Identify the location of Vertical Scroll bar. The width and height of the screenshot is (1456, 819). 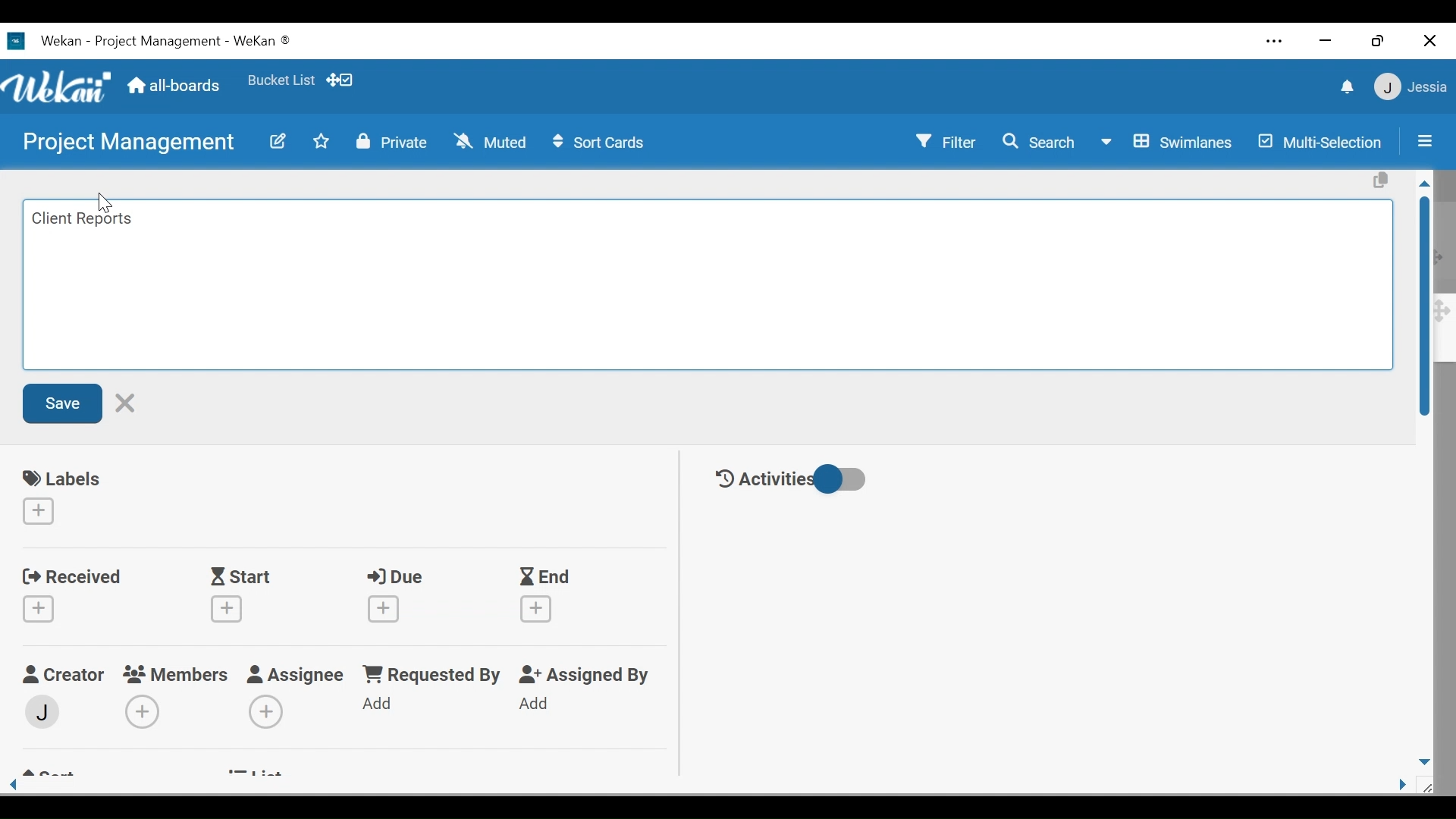
(1425, 325).